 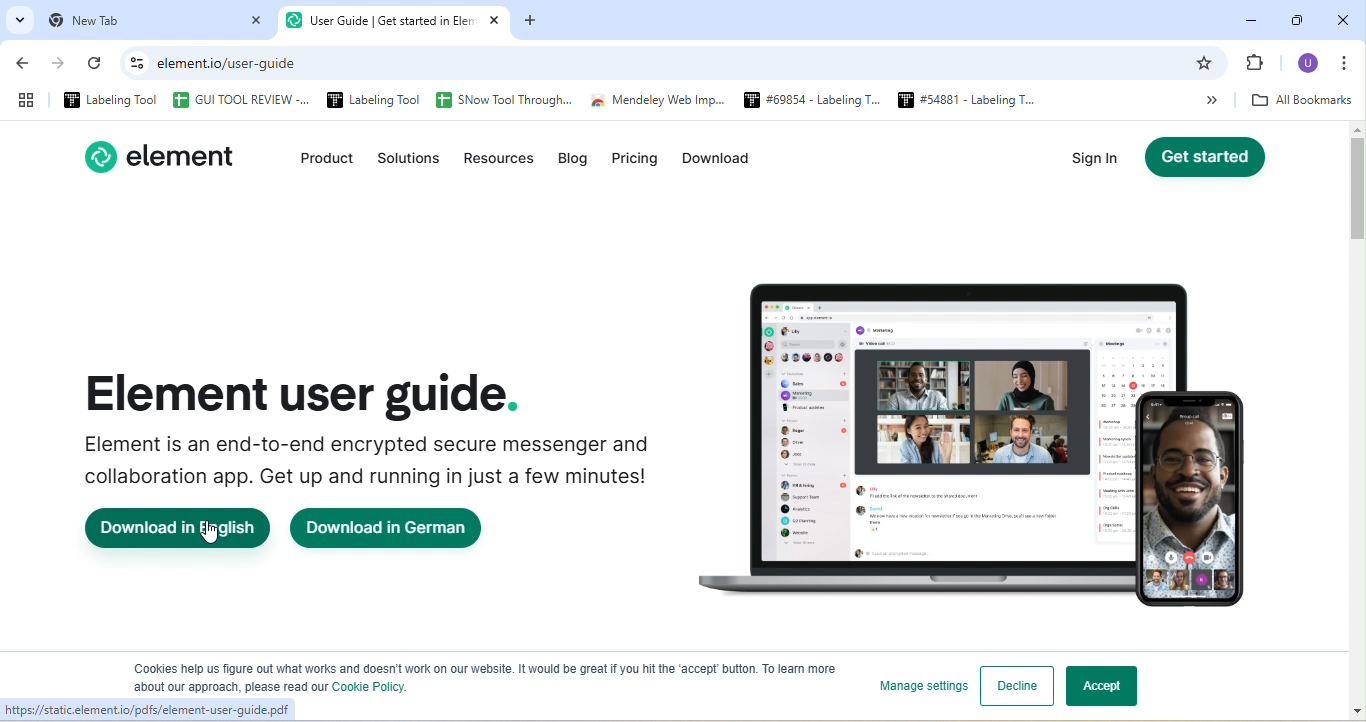 What do you see at coordinates (112, 100) in the screenshot?
I see `Labeling Tool` at bounding box center [112, 100].